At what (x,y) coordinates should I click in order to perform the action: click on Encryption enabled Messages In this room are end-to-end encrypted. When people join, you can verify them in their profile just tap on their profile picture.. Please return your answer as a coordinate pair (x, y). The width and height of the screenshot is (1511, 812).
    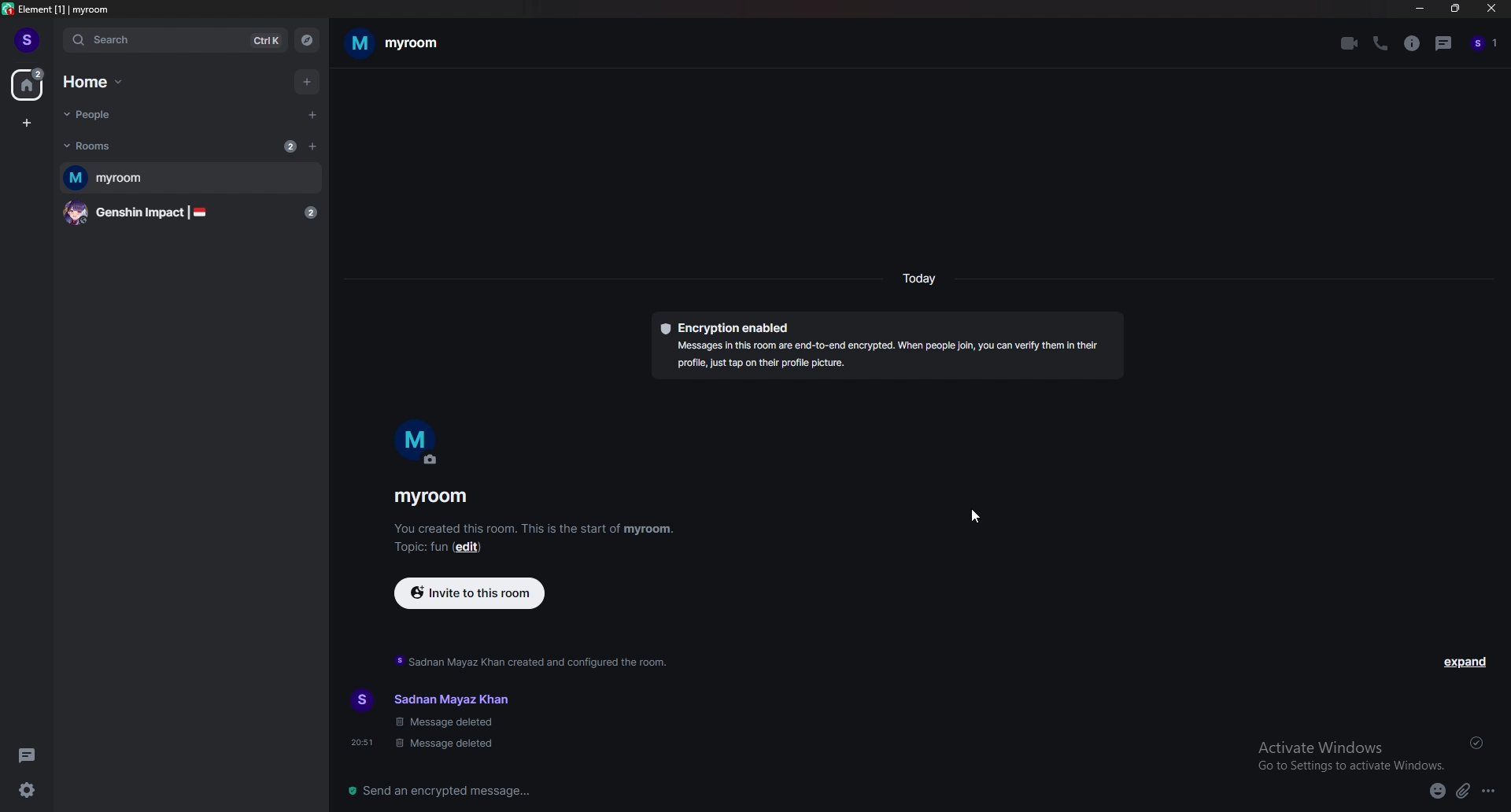
    Looking at the image, I should click on (887, 349).